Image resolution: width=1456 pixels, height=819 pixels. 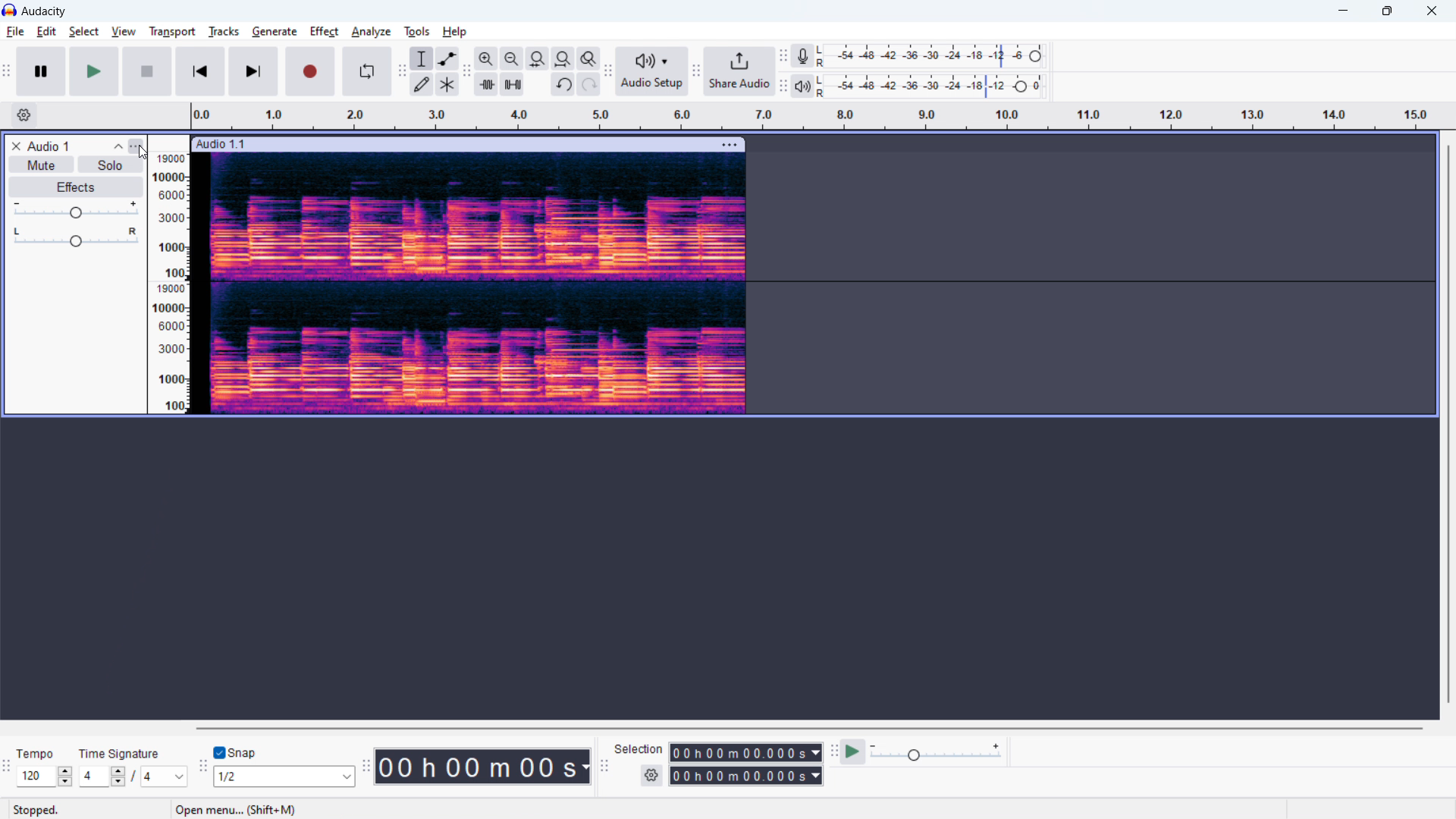 I want to click on view, so click(x=123, y=31).